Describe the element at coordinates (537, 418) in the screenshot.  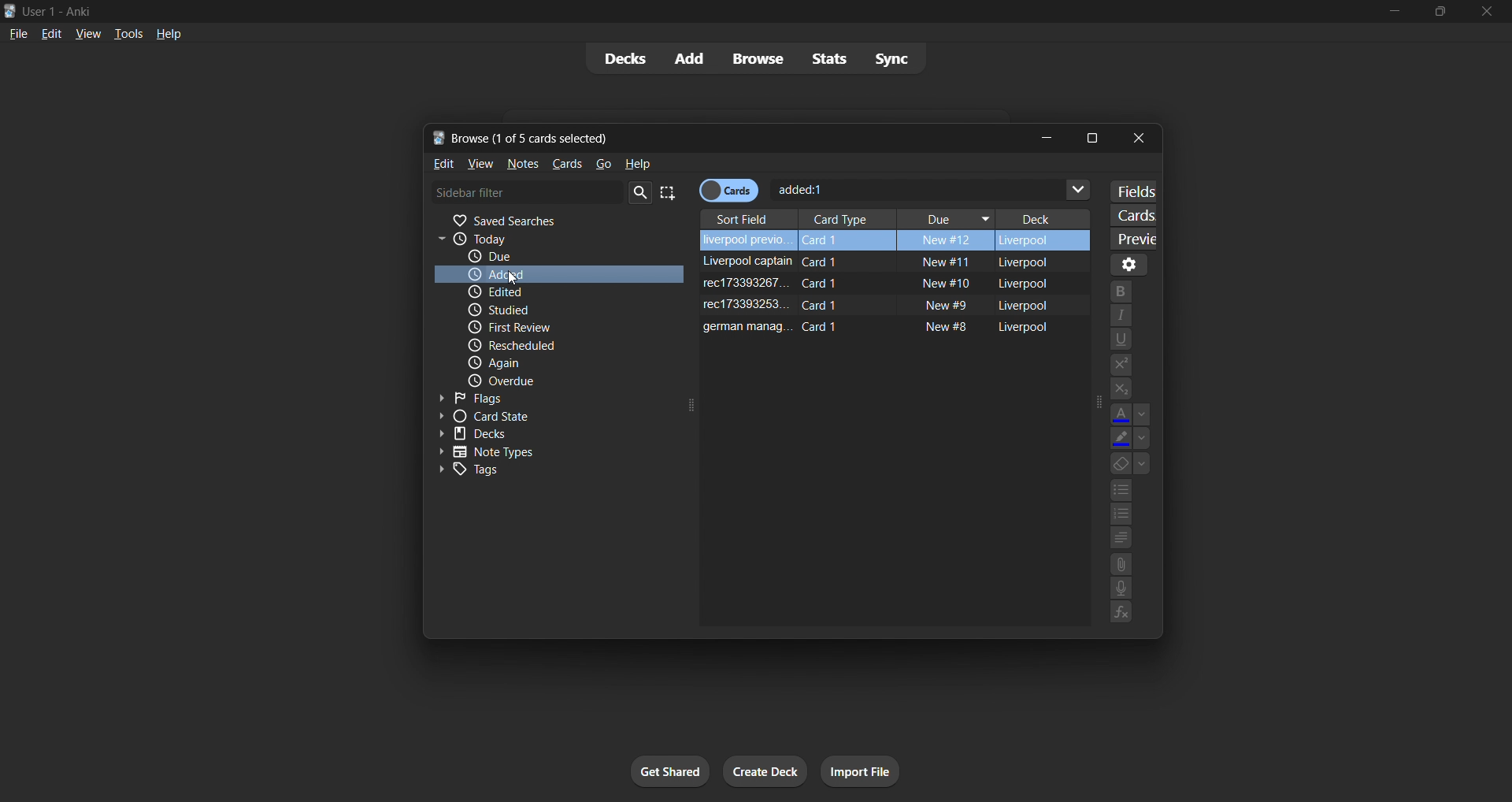
I see `card state filter toggle` at that location.